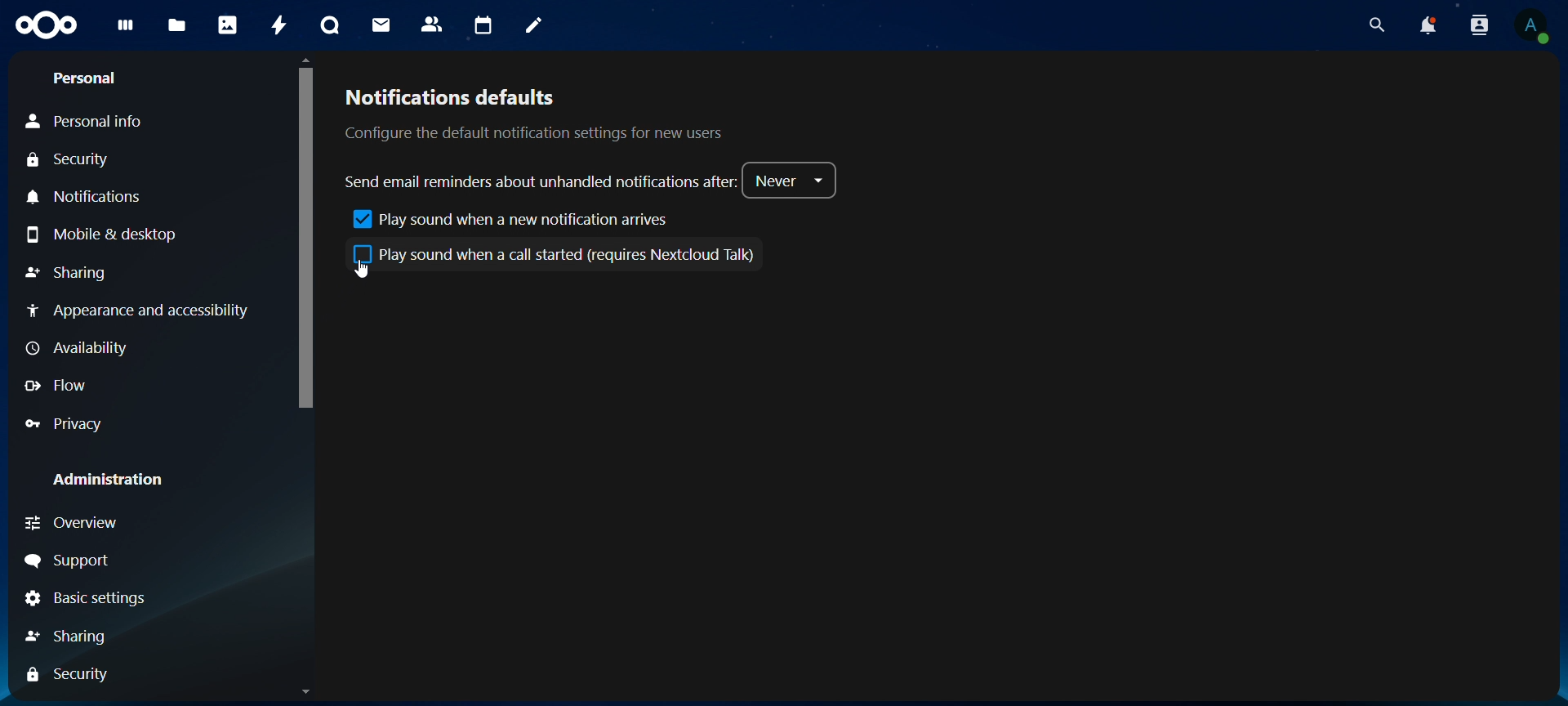  What do you see at coordinates (1430, 29) in the screenshot?
I see `notifications` at bounding box center [1430, 29].